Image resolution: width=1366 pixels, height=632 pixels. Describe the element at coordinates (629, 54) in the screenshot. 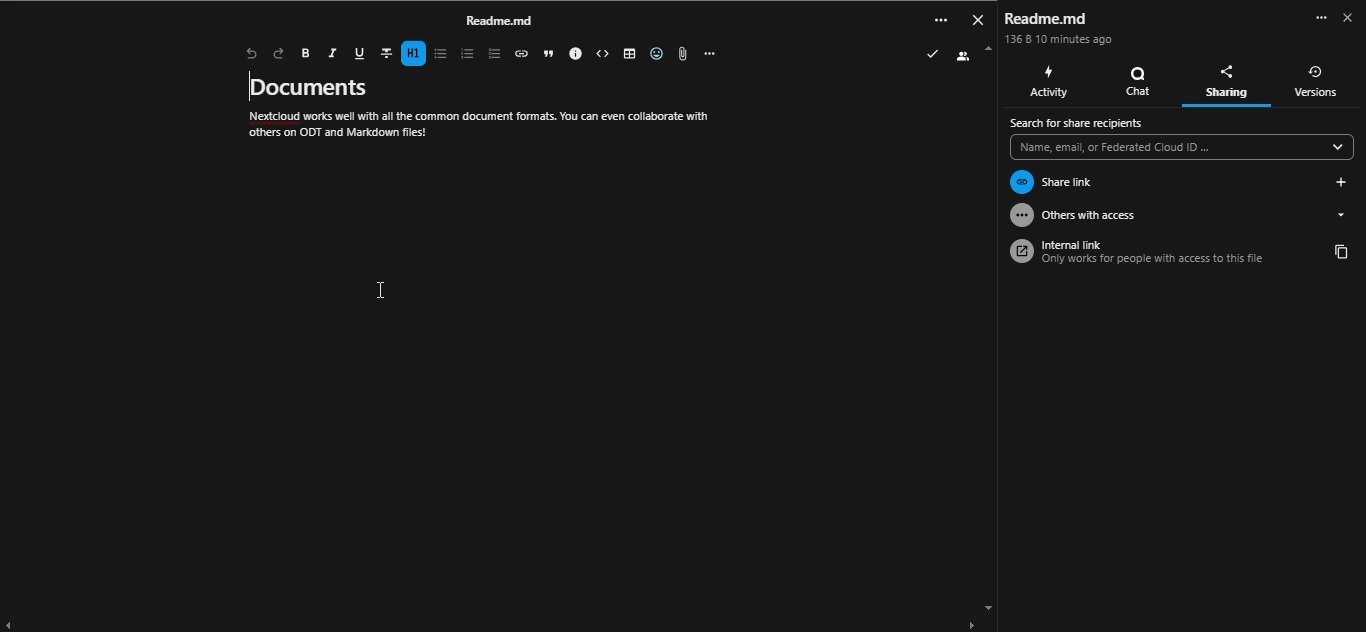

I see `toggle` at that location.